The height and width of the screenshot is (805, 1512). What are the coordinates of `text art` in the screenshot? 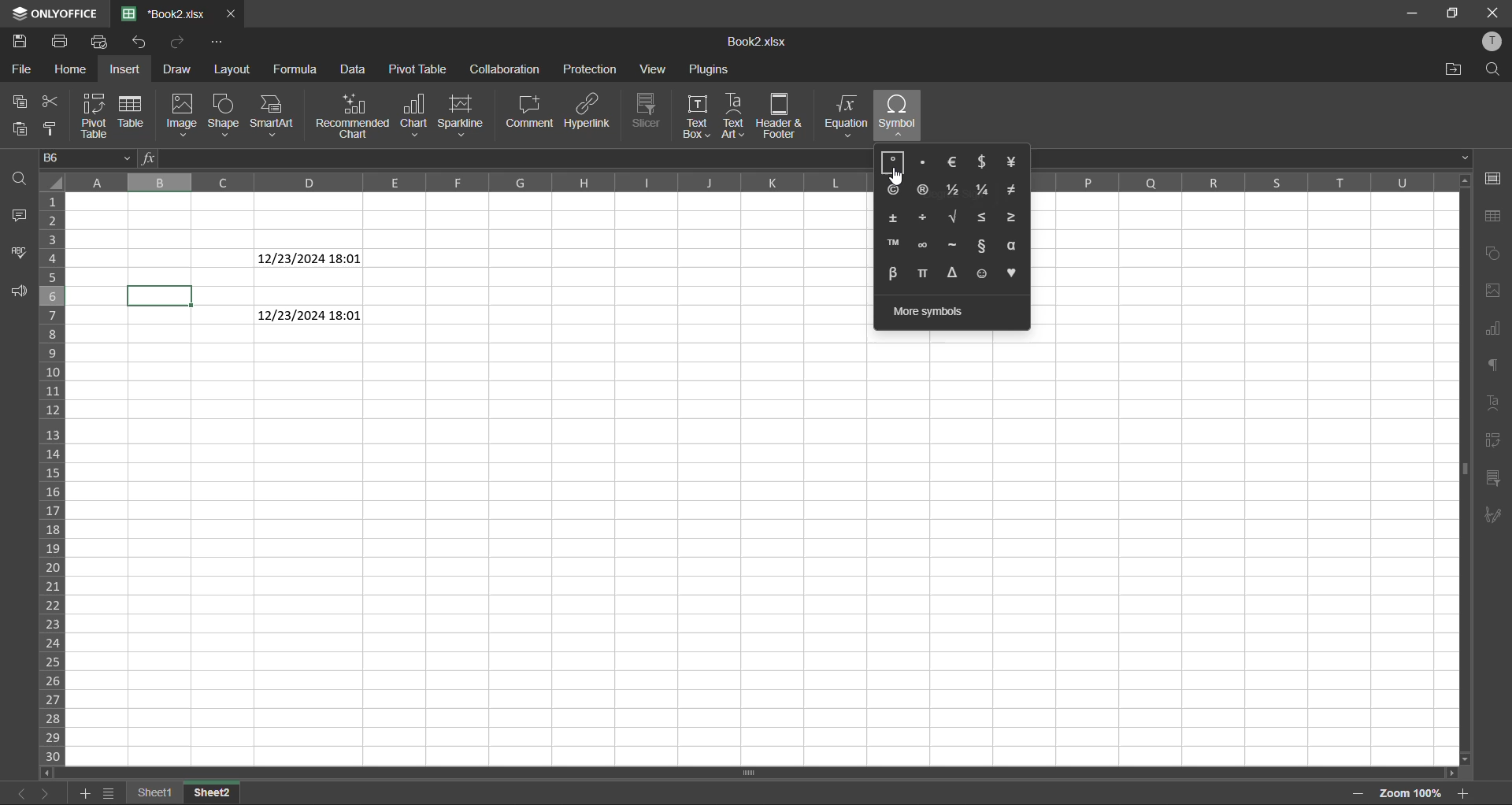 It's located at (736, 117).